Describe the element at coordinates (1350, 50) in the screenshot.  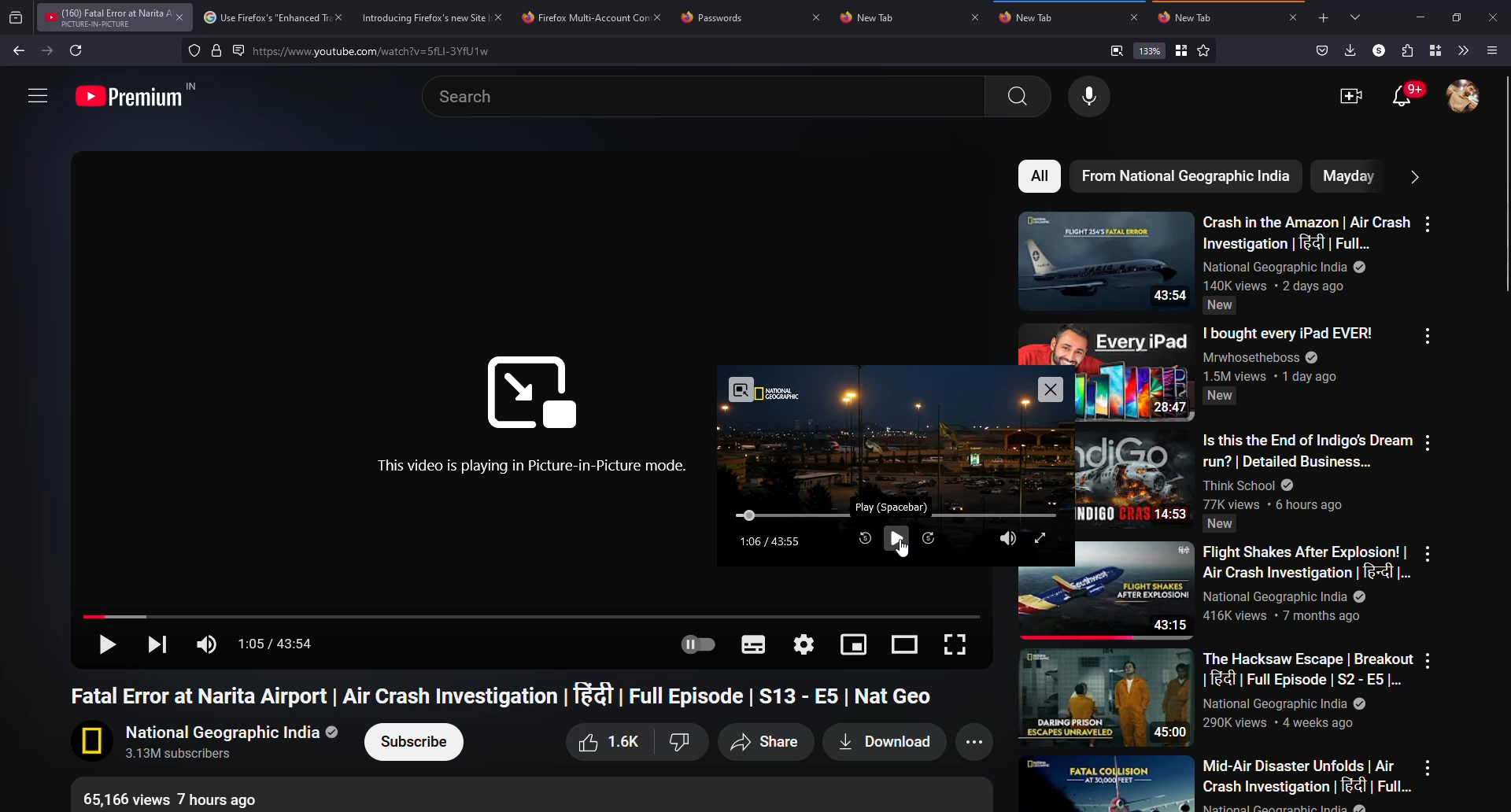
I see `downloads` at that location.